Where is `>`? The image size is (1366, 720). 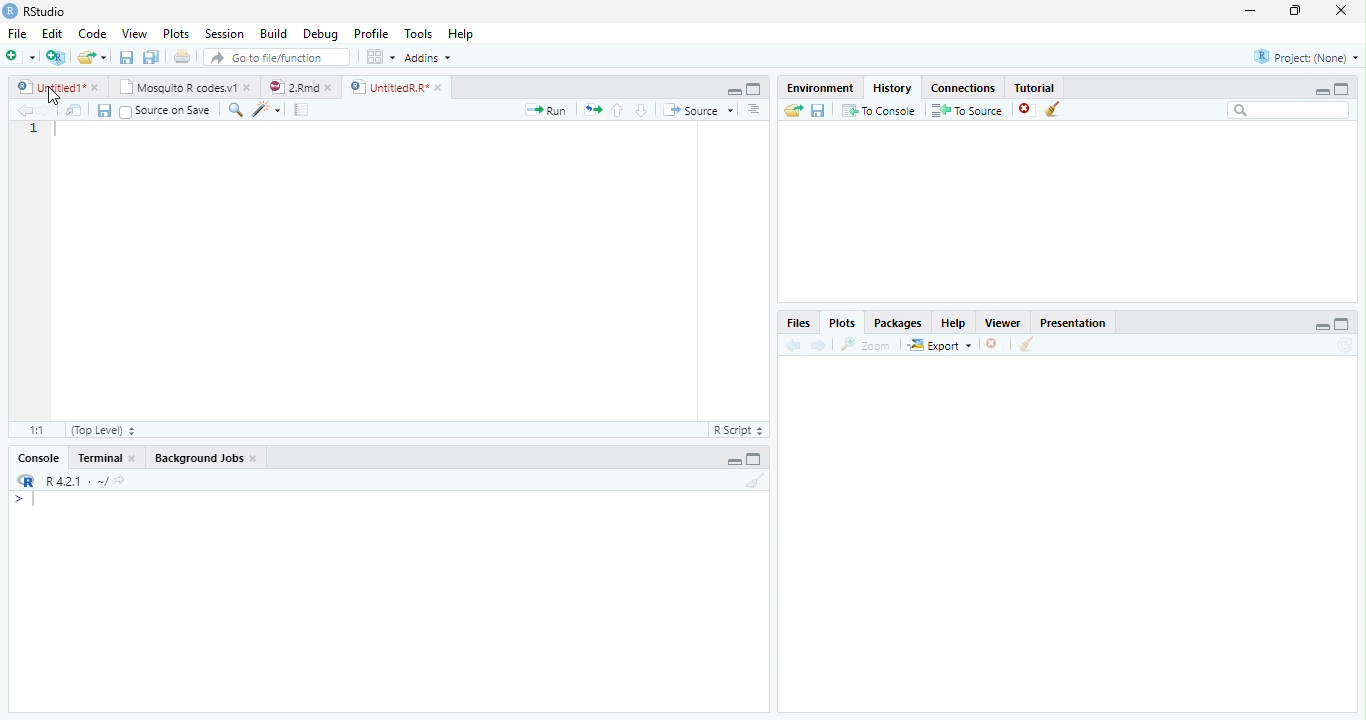
> is located at coordinates (15, 500).